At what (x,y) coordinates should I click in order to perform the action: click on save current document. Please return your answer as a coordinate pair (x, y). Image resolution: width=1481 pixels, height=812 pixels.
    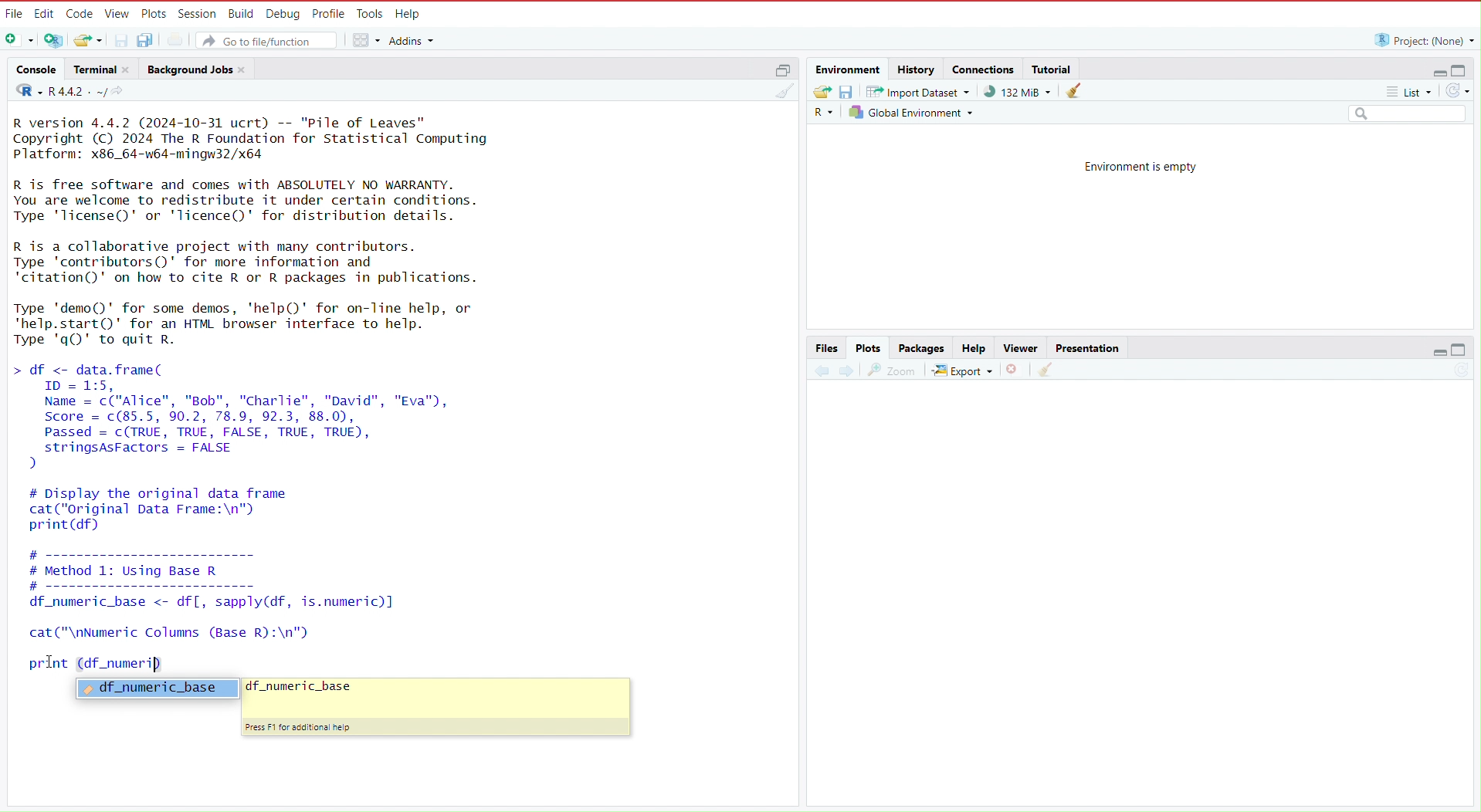
    Looking at the image, I should click on (121, 41).